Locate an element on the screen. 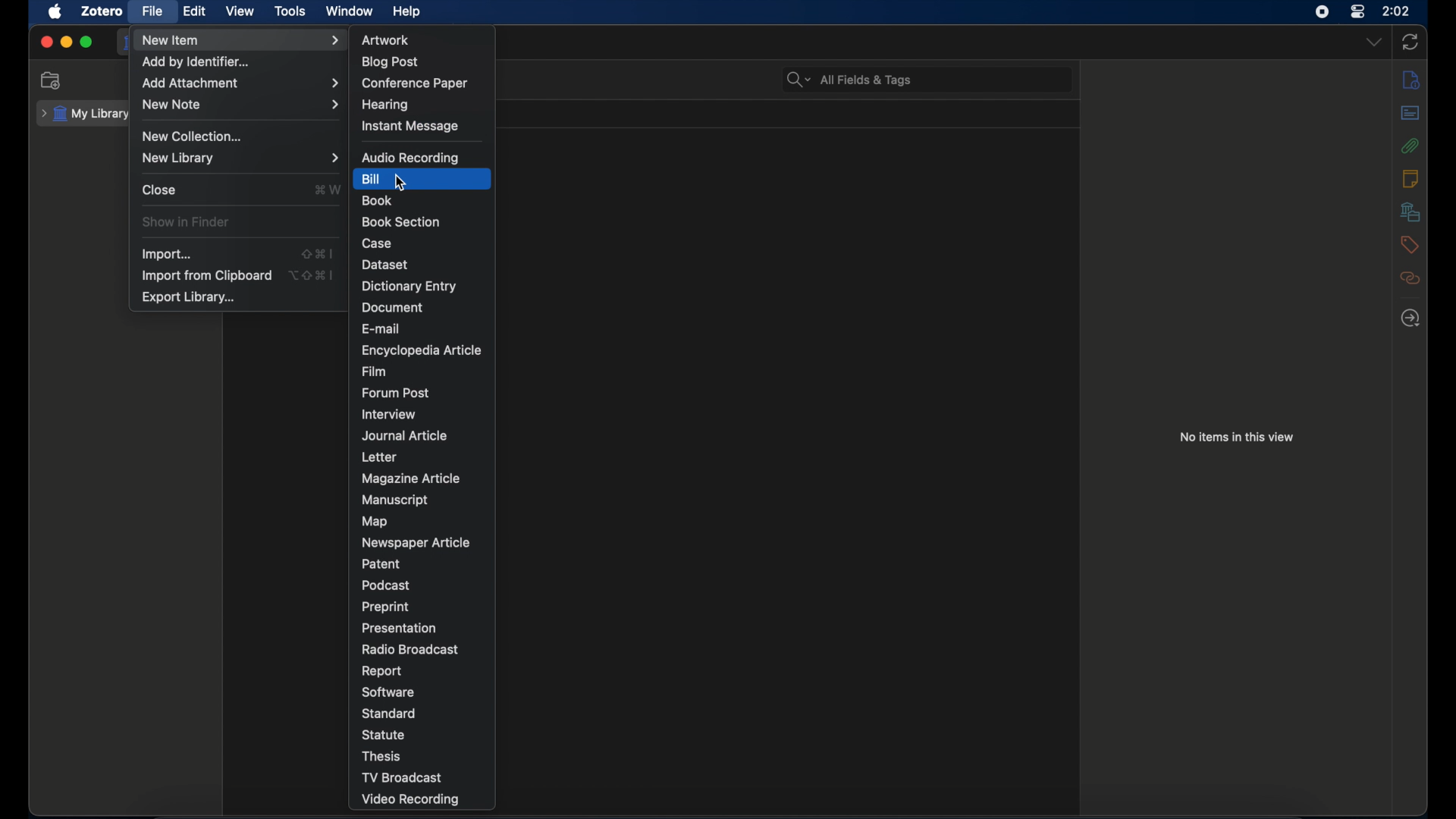  newspaper article is located at coordinates (418, 544).